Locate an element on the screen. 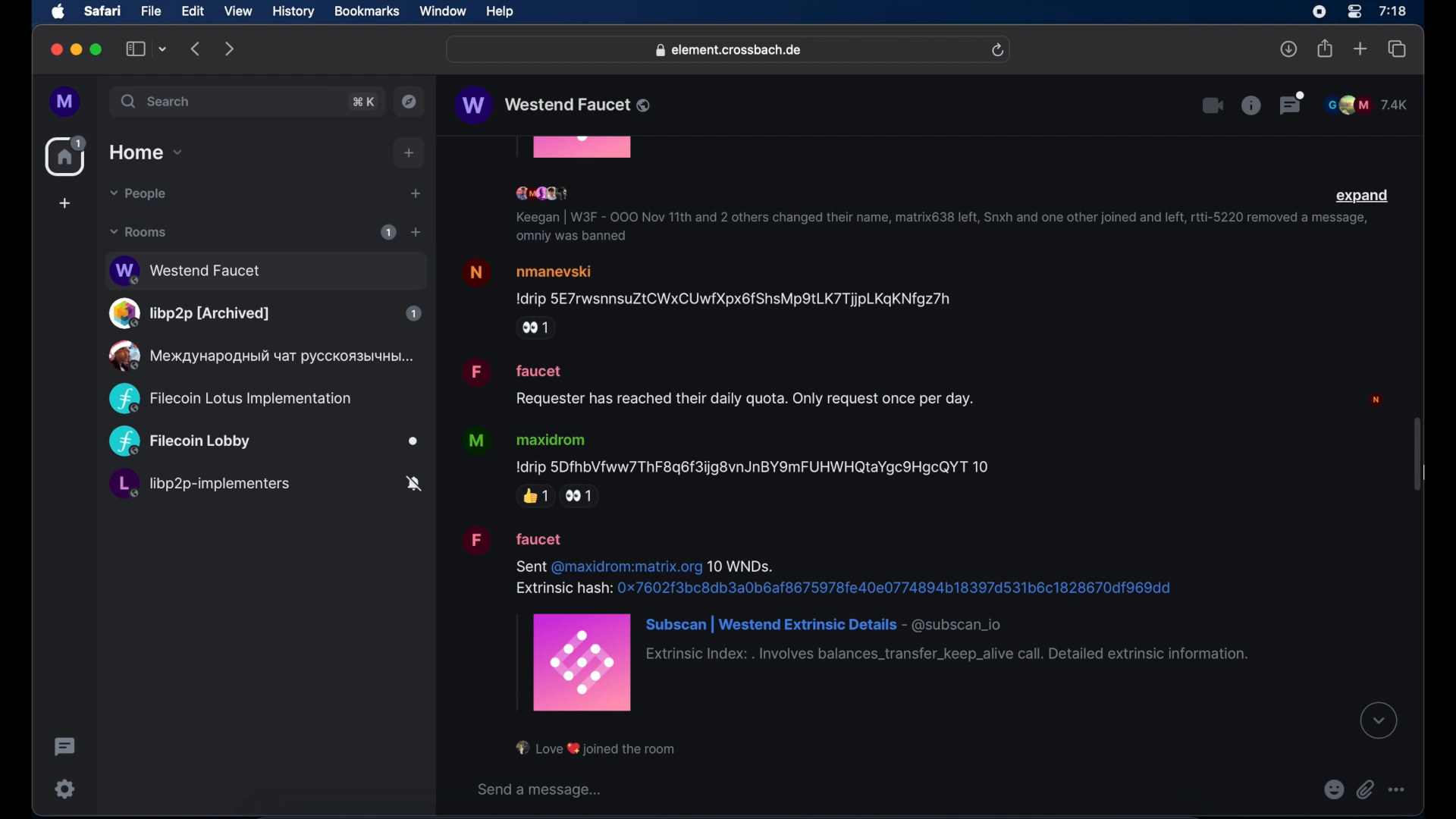  forward is located at coordinates (230, 49).